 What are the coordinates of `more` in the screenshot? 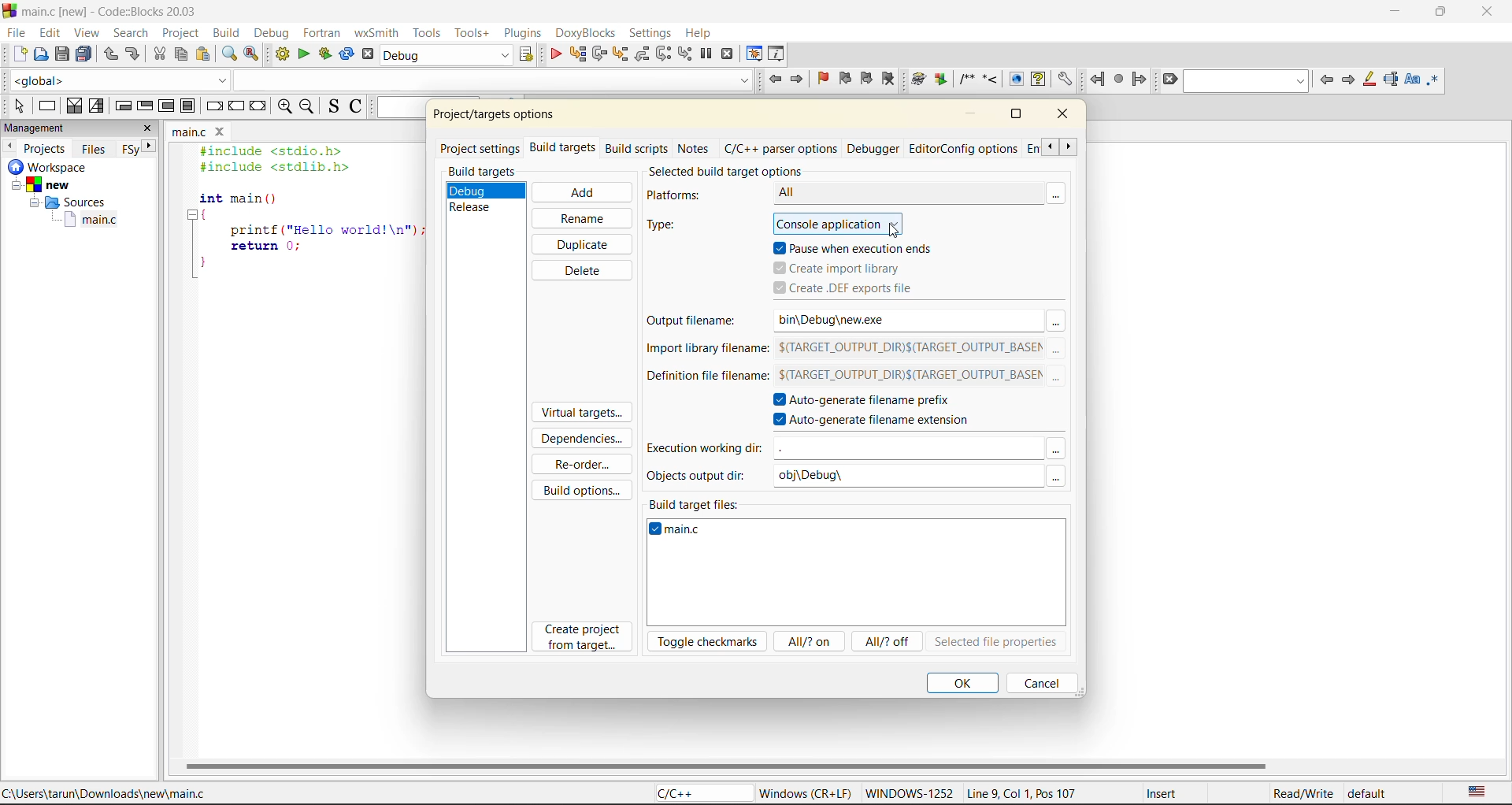 It's located at (1056, 448).